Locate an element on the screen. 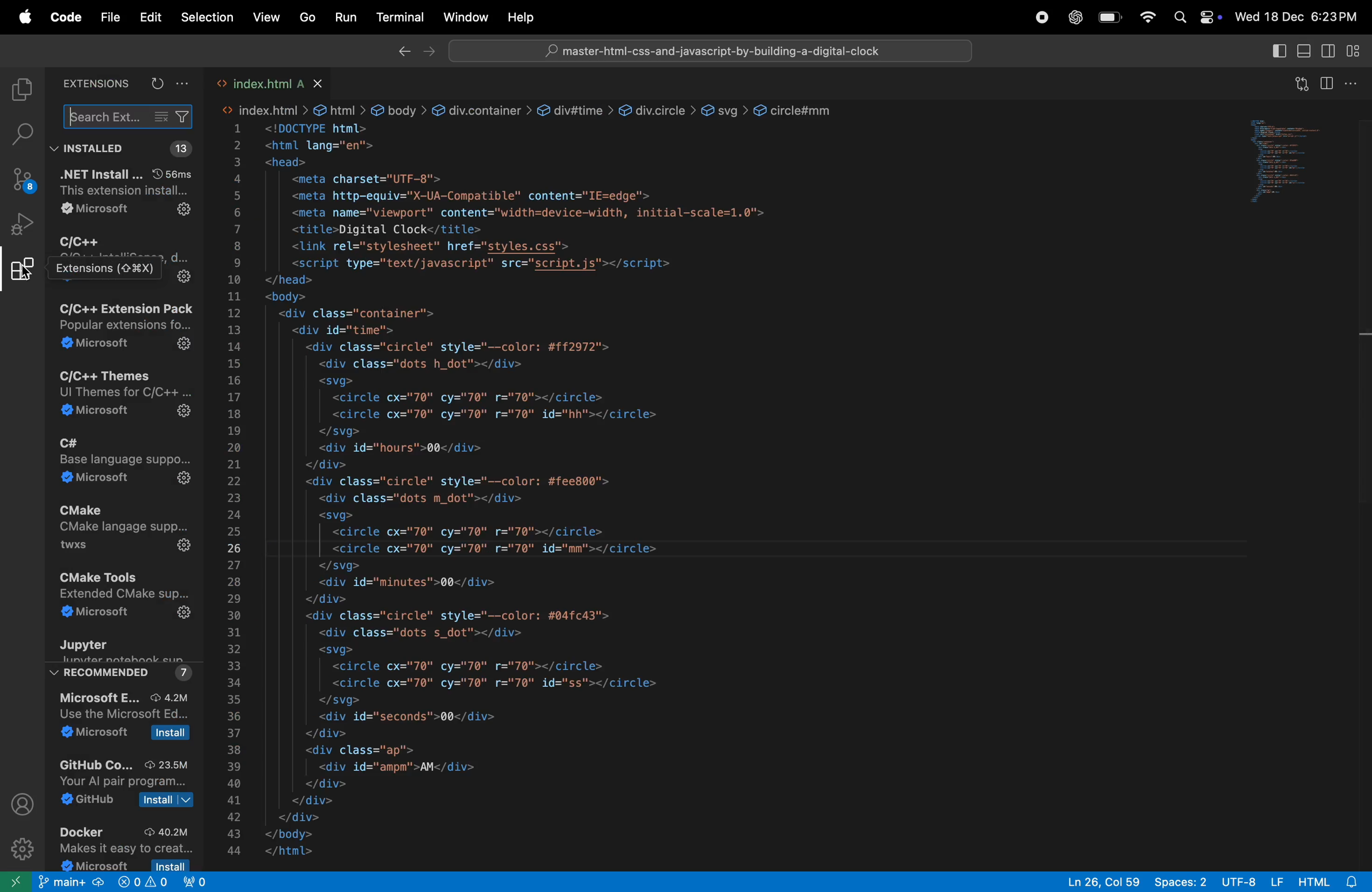  .net extensions is located at coordinates (126, 194).